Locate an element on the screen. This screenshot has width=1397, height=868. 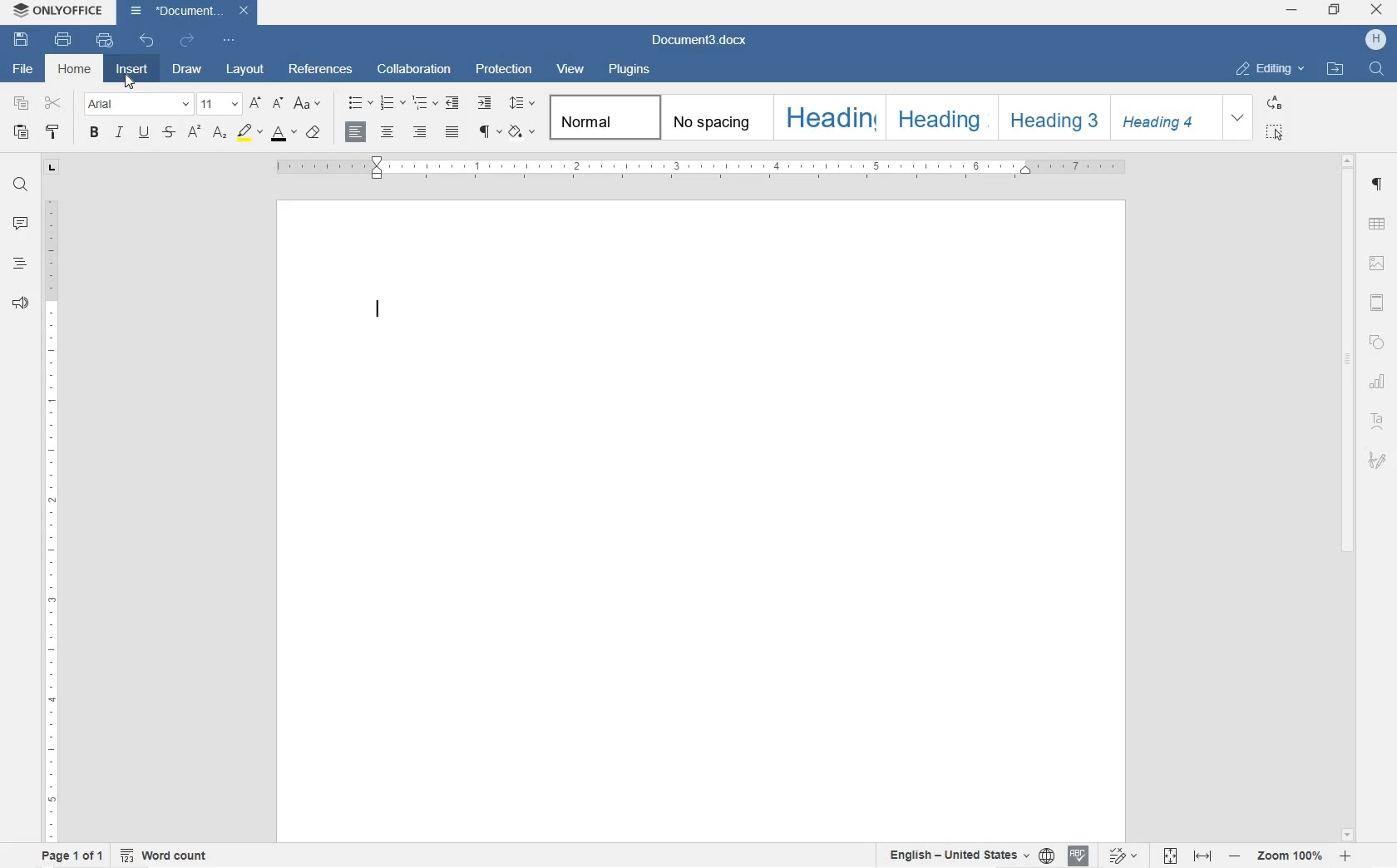
HP is located at coordinates (1375, 40).